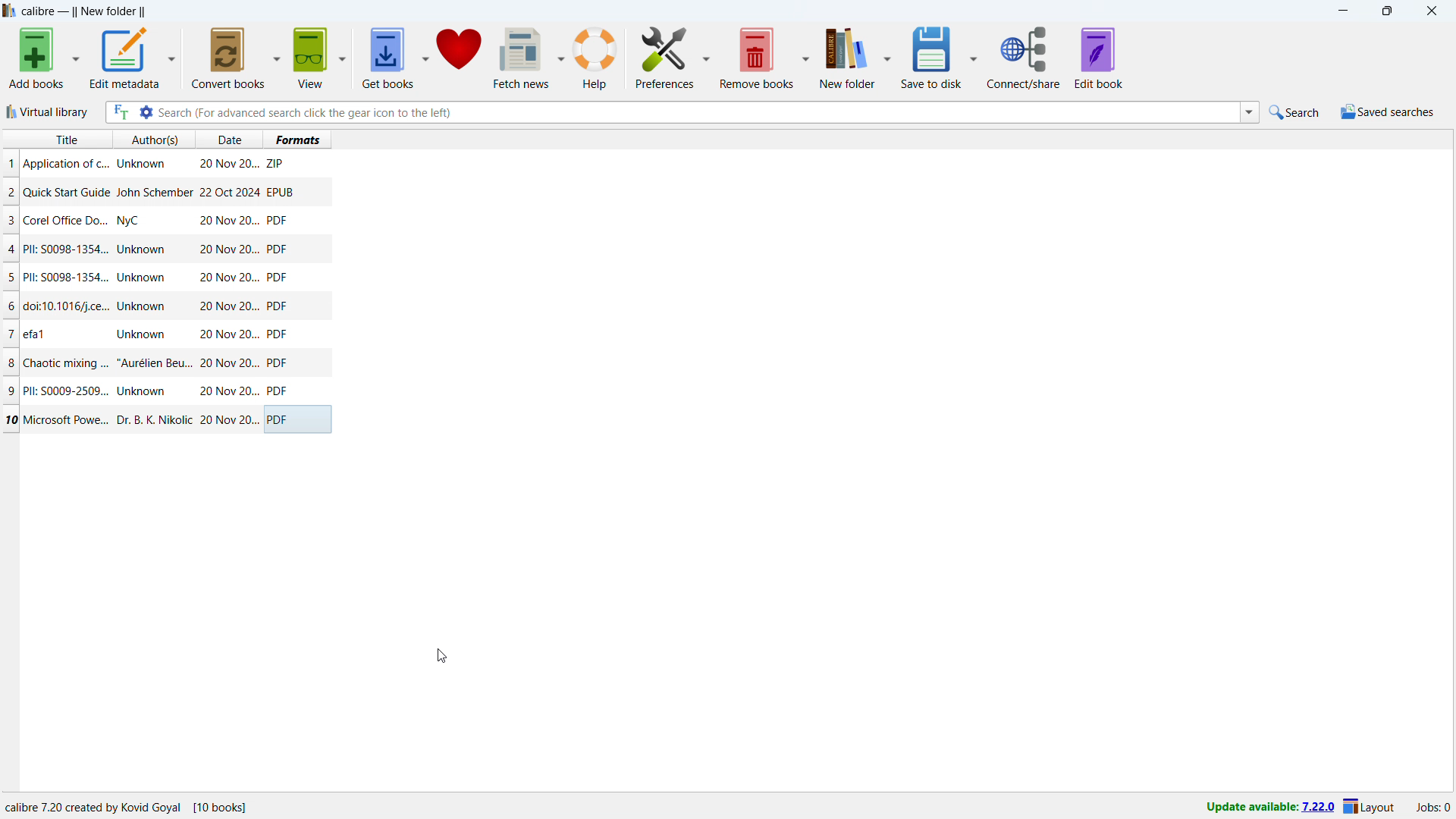  Describe the element at coordinates (1431, 11) in the screenshot. I see `close` at that location.